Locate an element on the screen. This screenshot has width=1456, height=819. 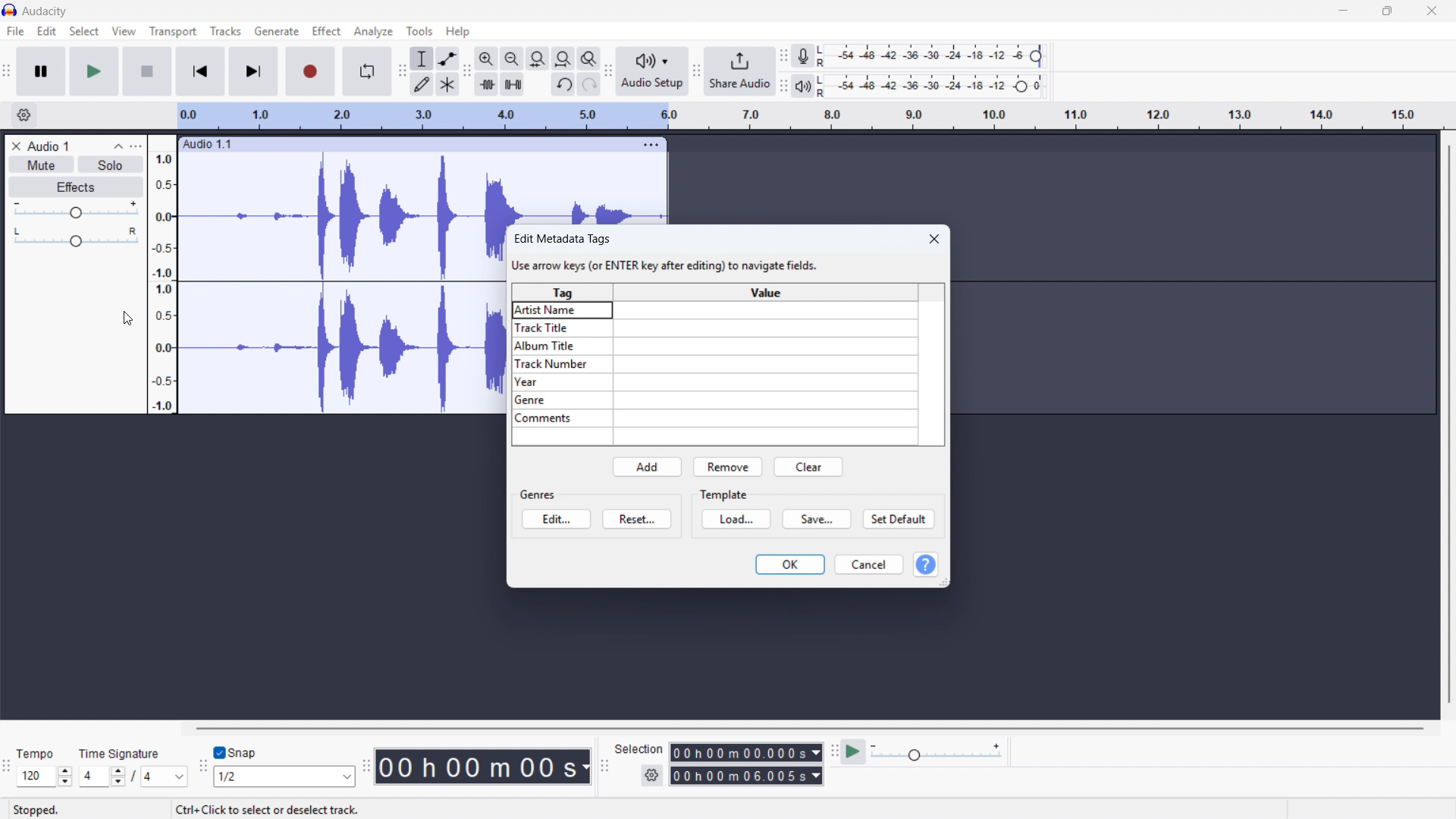
time toolbar is located at coordinates (366, 767).